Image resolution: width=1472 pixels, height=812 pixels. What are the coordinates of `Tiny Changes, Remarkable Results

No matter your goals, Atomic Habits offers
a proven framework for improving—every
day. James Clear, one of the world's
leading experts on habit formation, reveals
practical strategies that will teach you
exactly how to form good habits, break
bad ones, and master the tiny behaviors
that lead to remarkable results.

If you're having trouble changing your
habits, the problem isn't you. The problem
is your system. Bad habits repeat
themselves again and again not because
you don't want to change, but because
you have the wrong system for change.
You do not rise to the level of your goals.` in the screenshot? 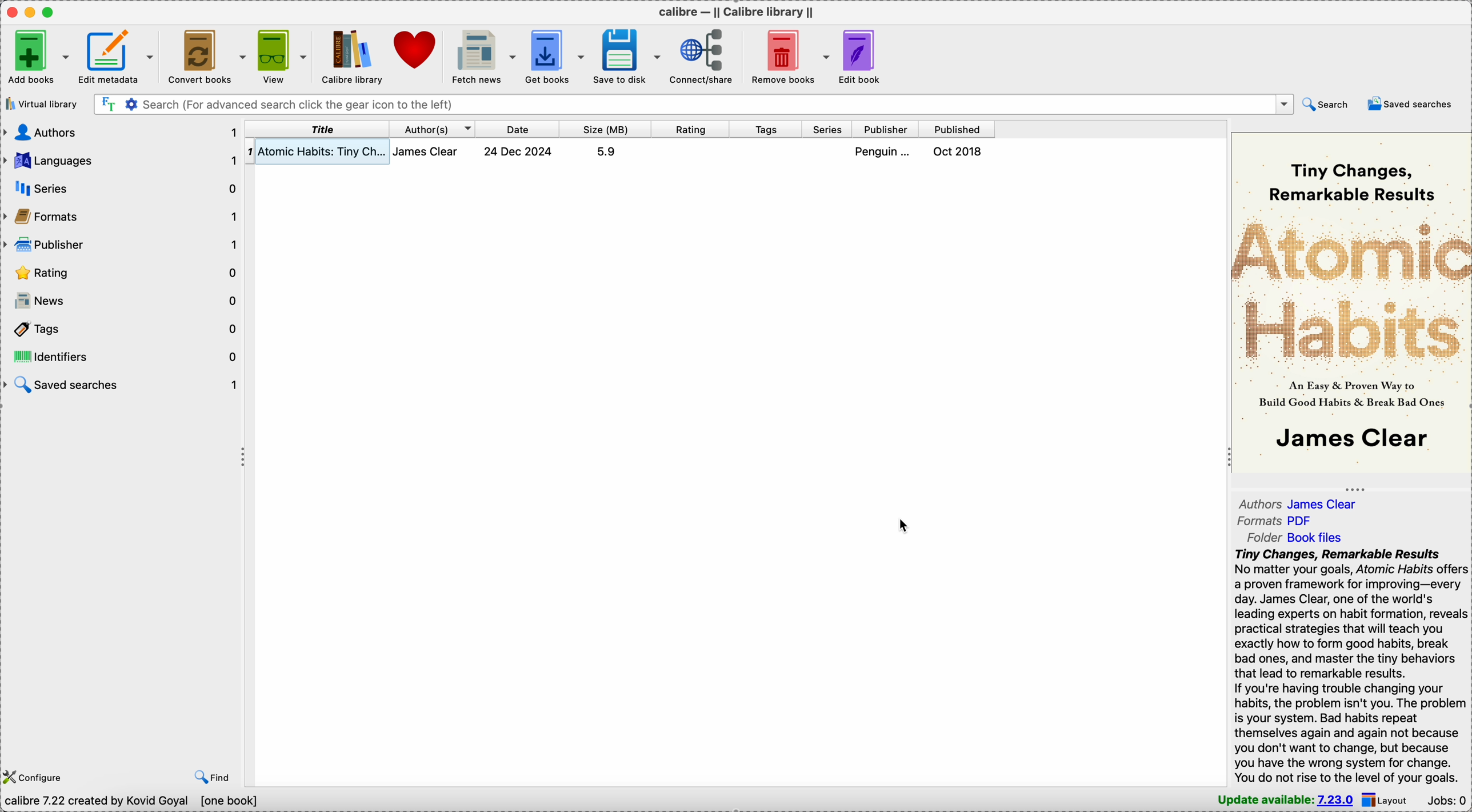 It's located at (1347, 665).